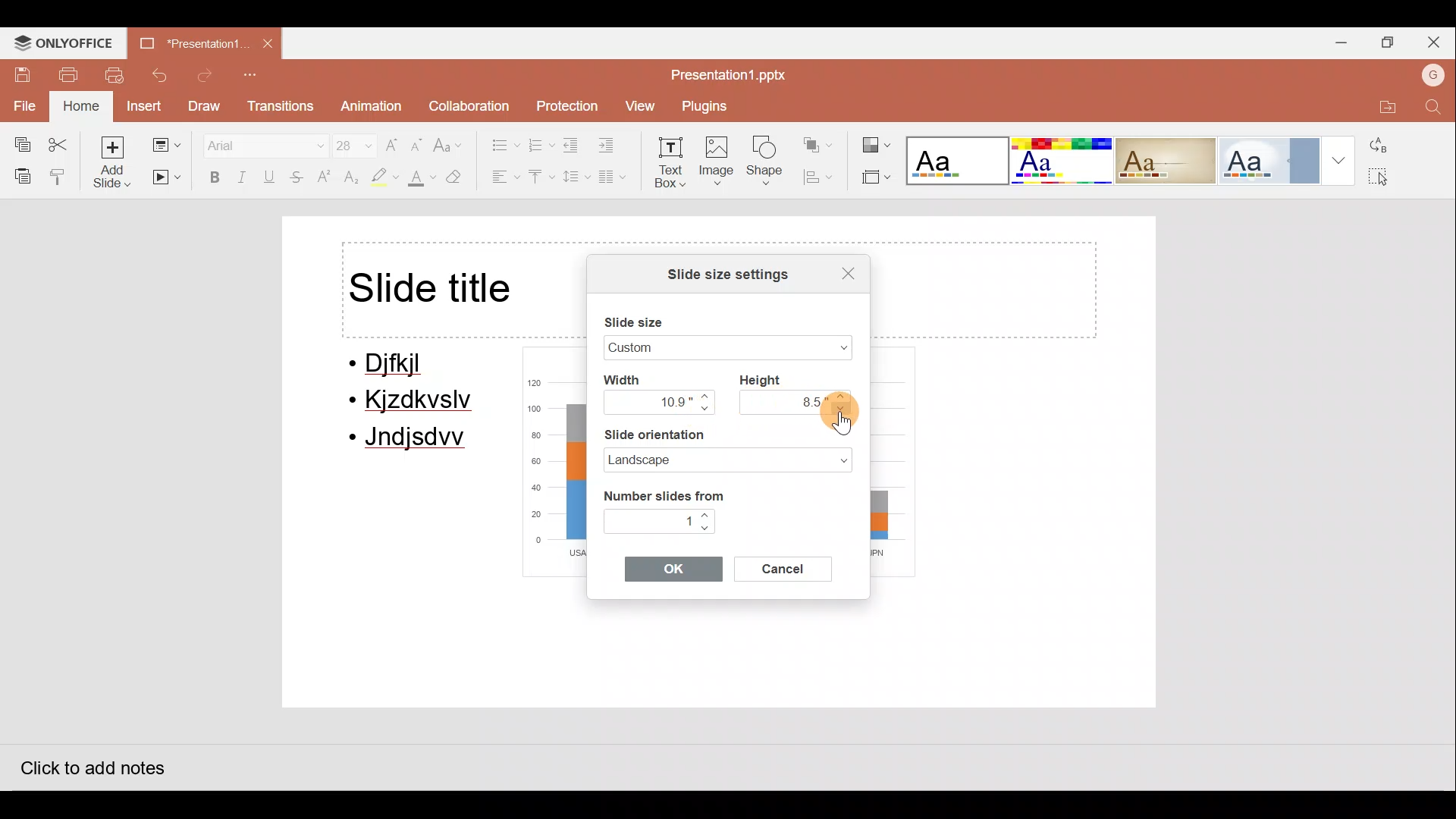 This screenshot has width=1456, height=819. Describe the element at coordinates (419, 180) in the screenshot. I see `Fill color` at that location.